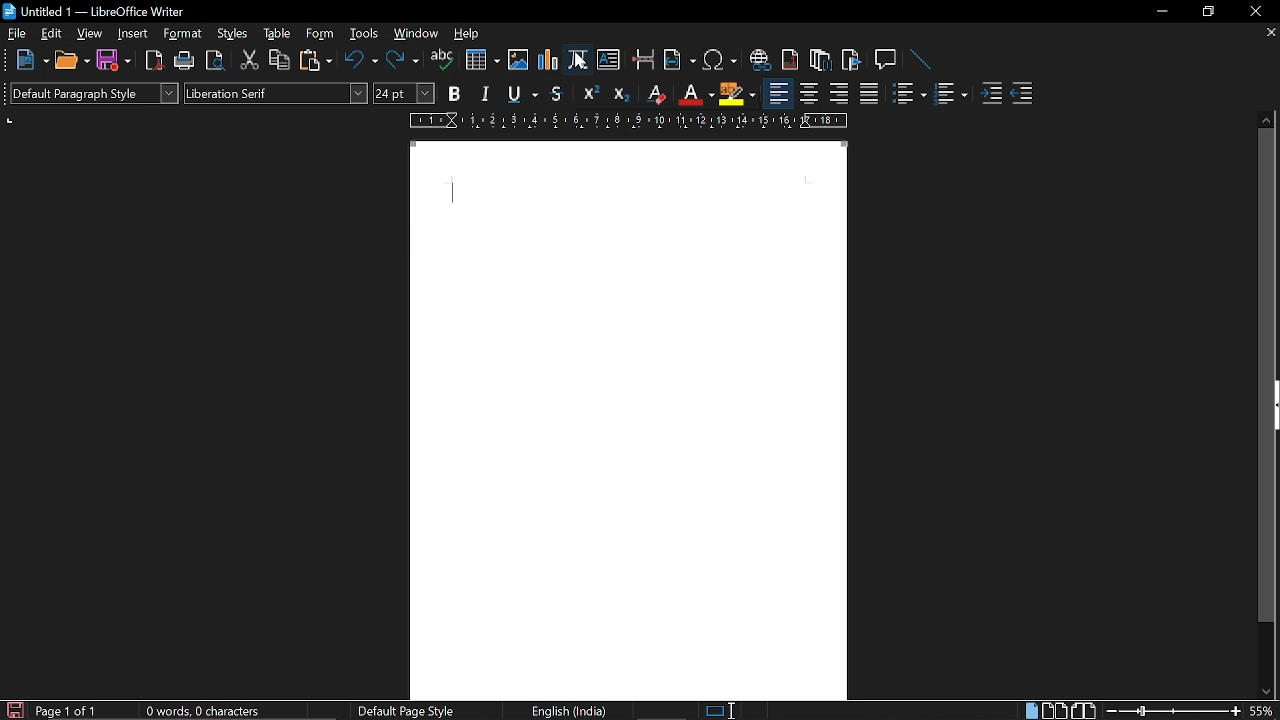  Describe the element at coordinates (737, 94) in the screenshot. I see `highlight` at that location.